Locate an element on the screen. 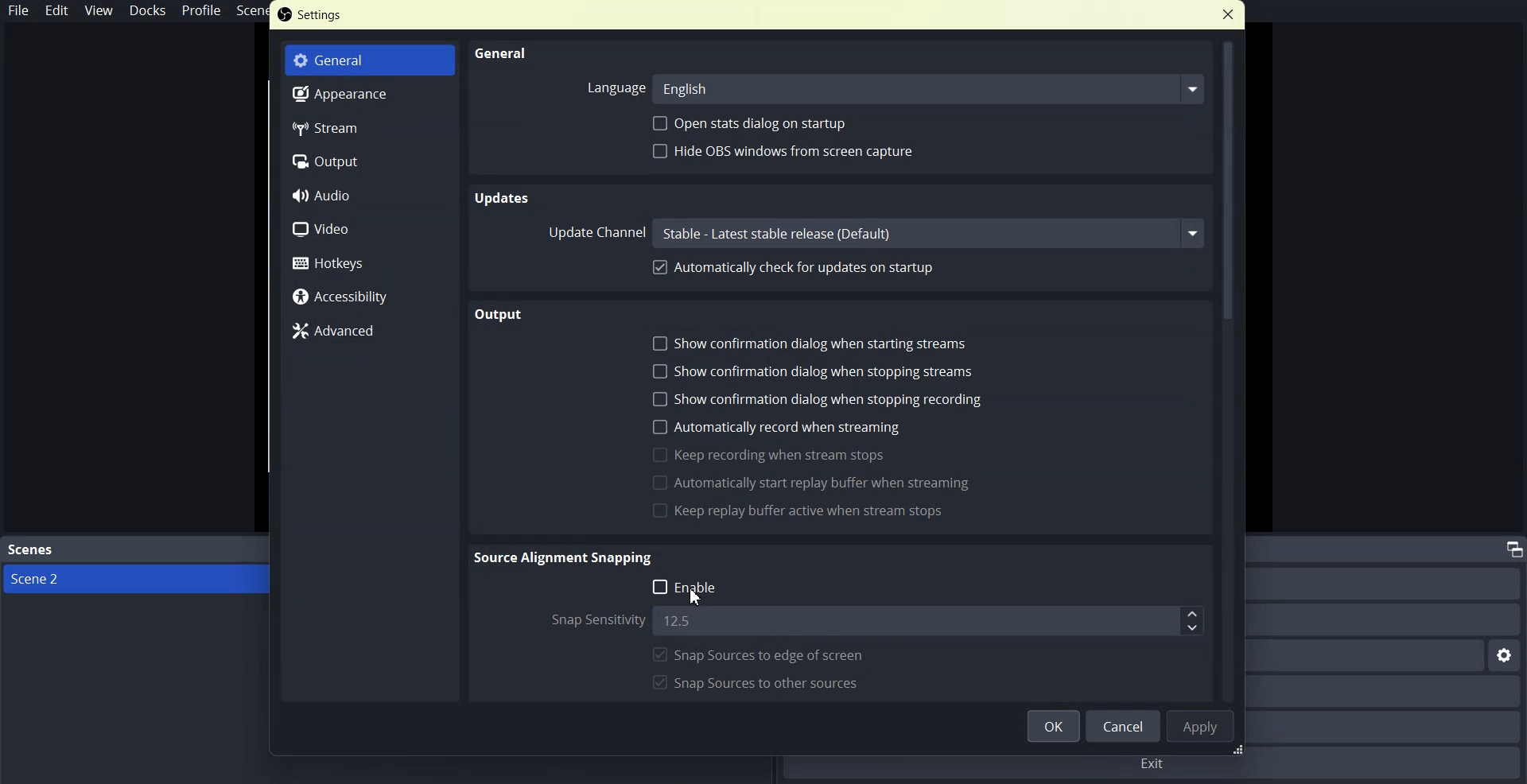  Text is located at coordinates (31, 550).